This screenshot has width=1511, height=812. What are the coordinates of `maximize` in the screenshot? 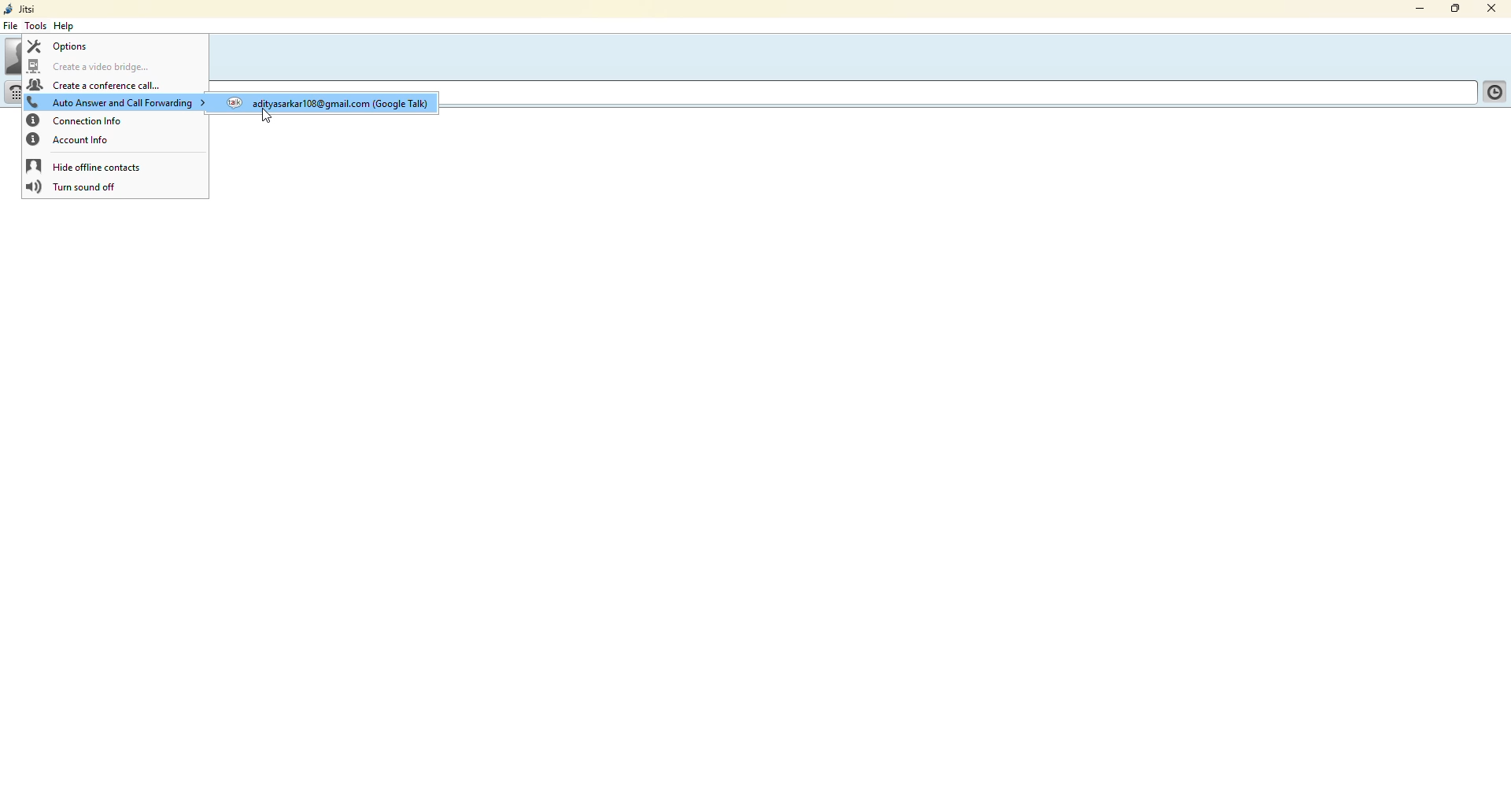 It's located at (1452, 10).